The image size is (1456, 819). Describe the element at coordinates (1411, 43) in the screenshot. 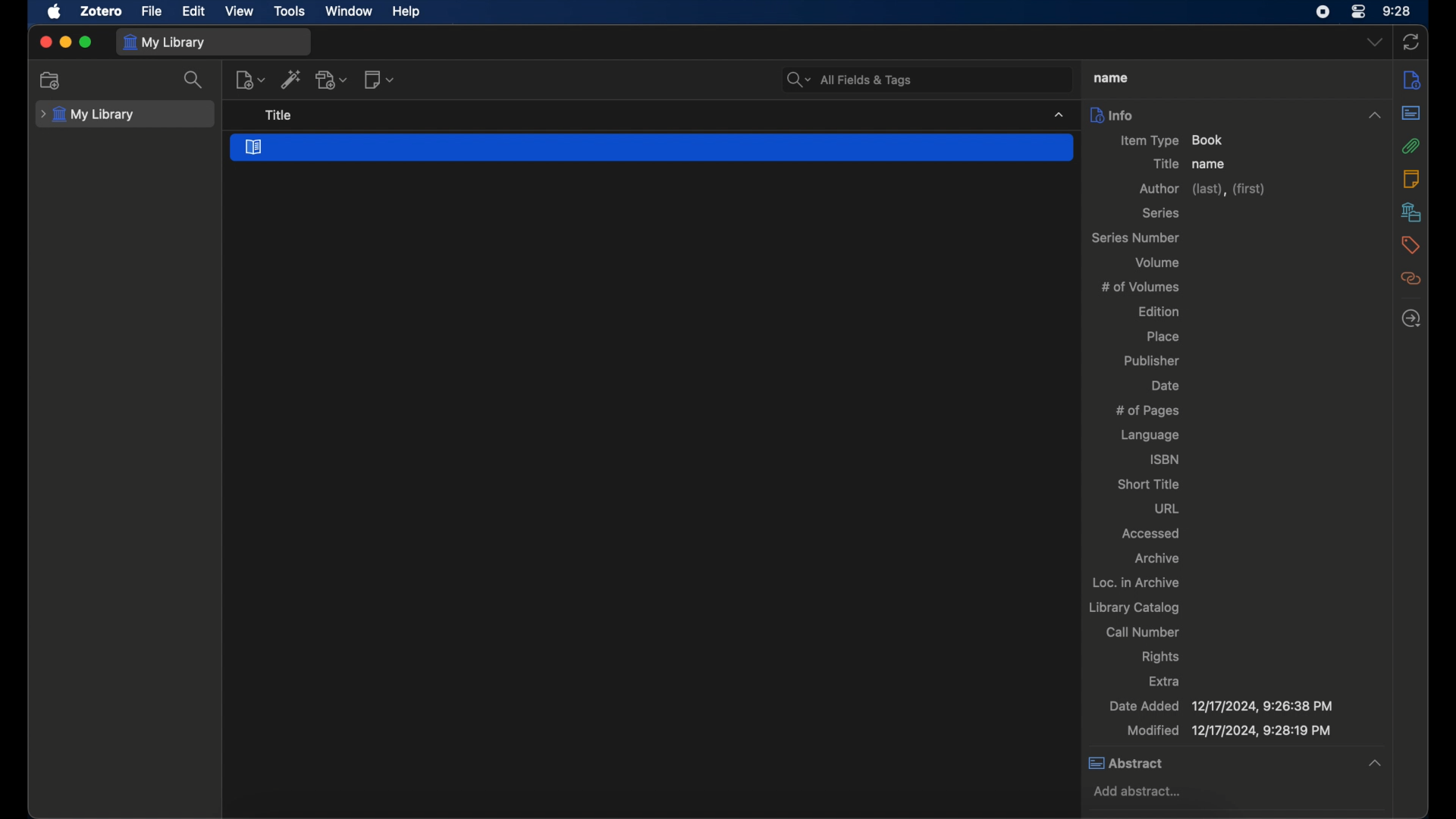

I see `sync` at that location.